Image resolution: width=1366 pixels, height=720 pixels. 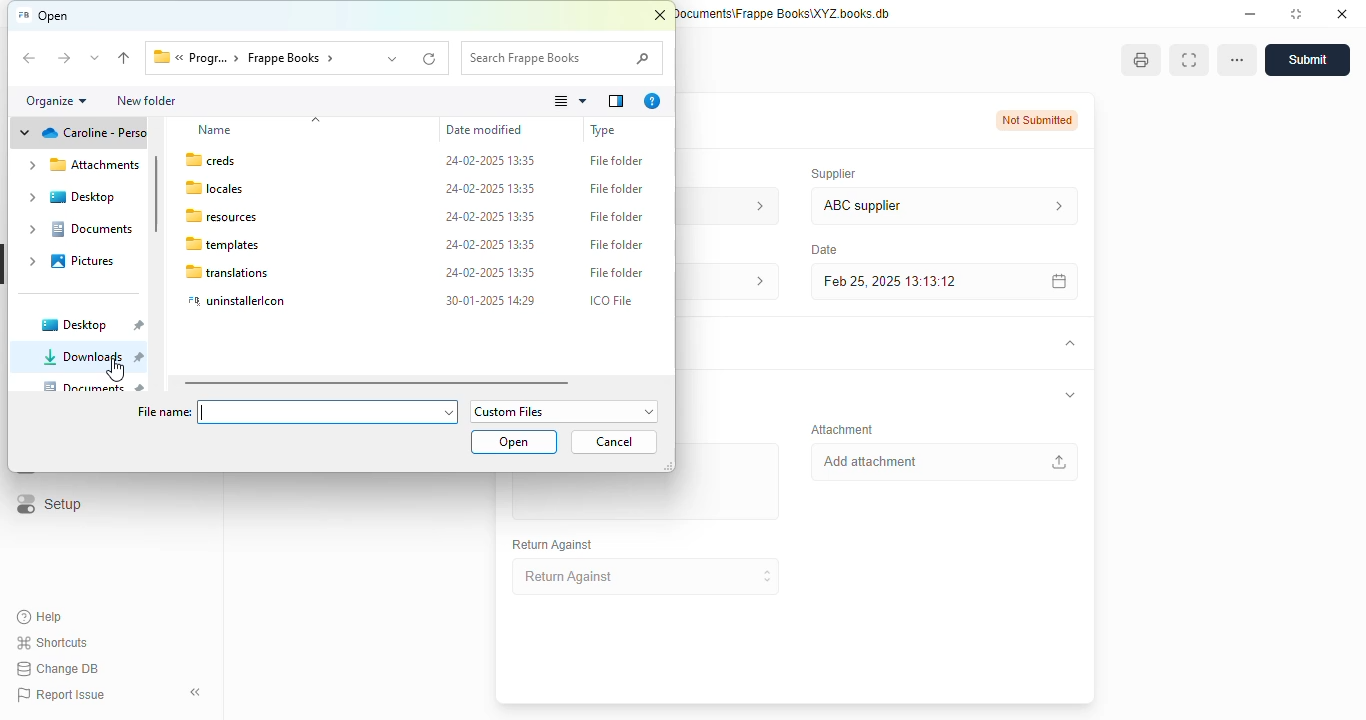 What do you see at coordinates (328, 411) in the screenshot?
I see `file name input field` at bounding box center [328, 411].